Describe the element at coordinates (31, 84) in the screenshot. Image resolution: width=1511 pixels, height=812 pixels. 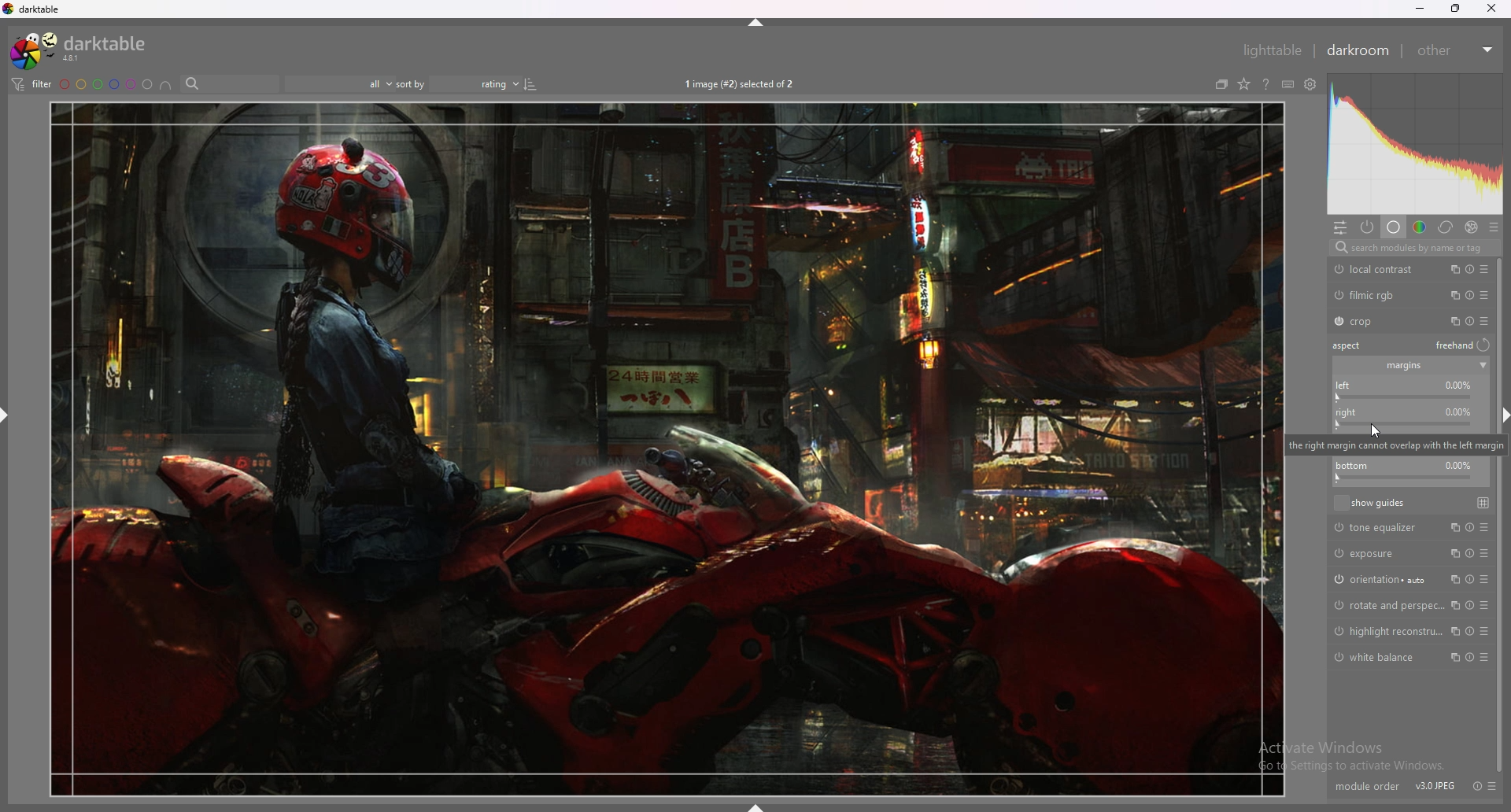
I see `filter` at that location.